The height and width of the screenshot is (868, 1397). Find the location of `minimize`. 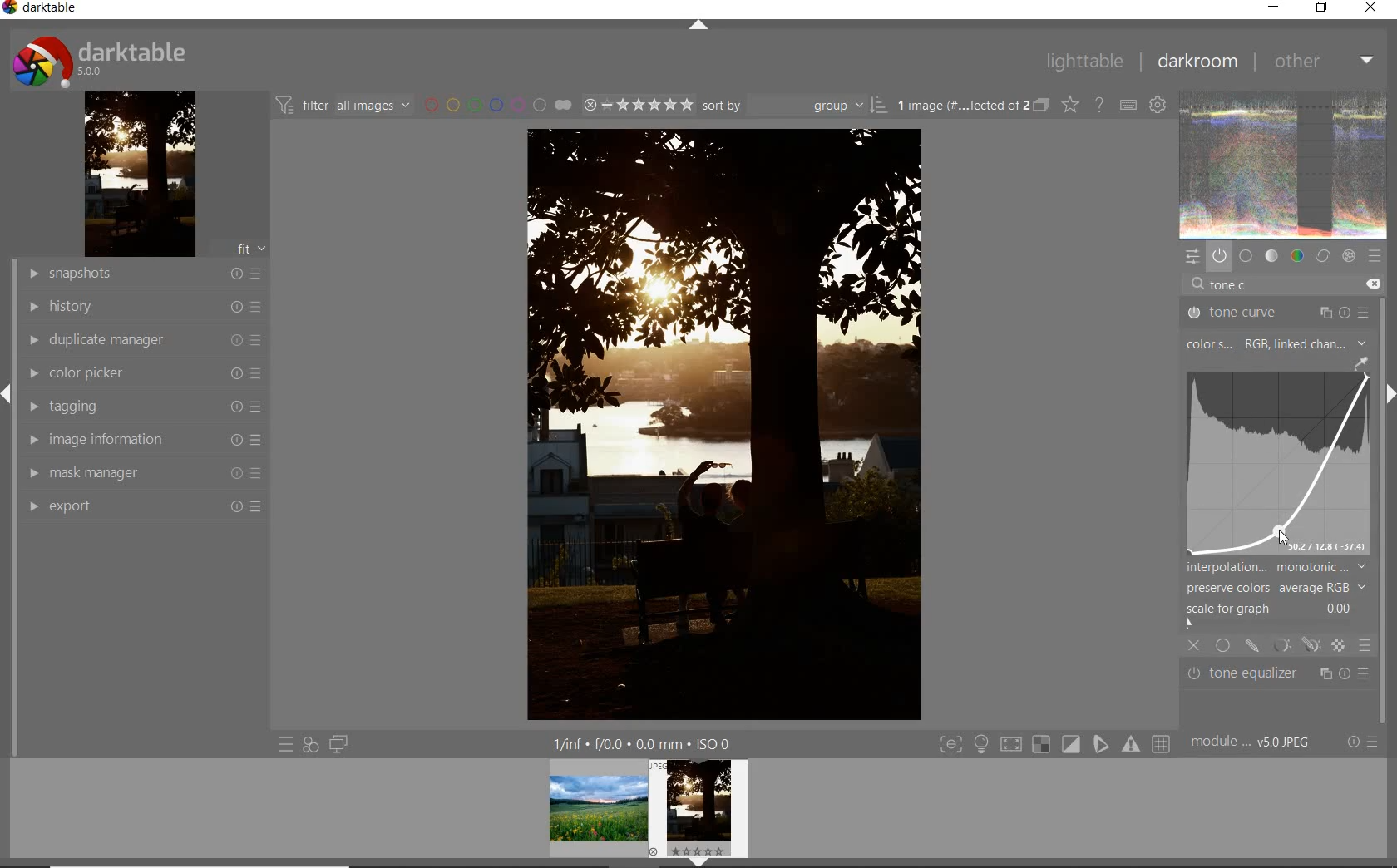

minimize is located at coordinates (1271, 7).